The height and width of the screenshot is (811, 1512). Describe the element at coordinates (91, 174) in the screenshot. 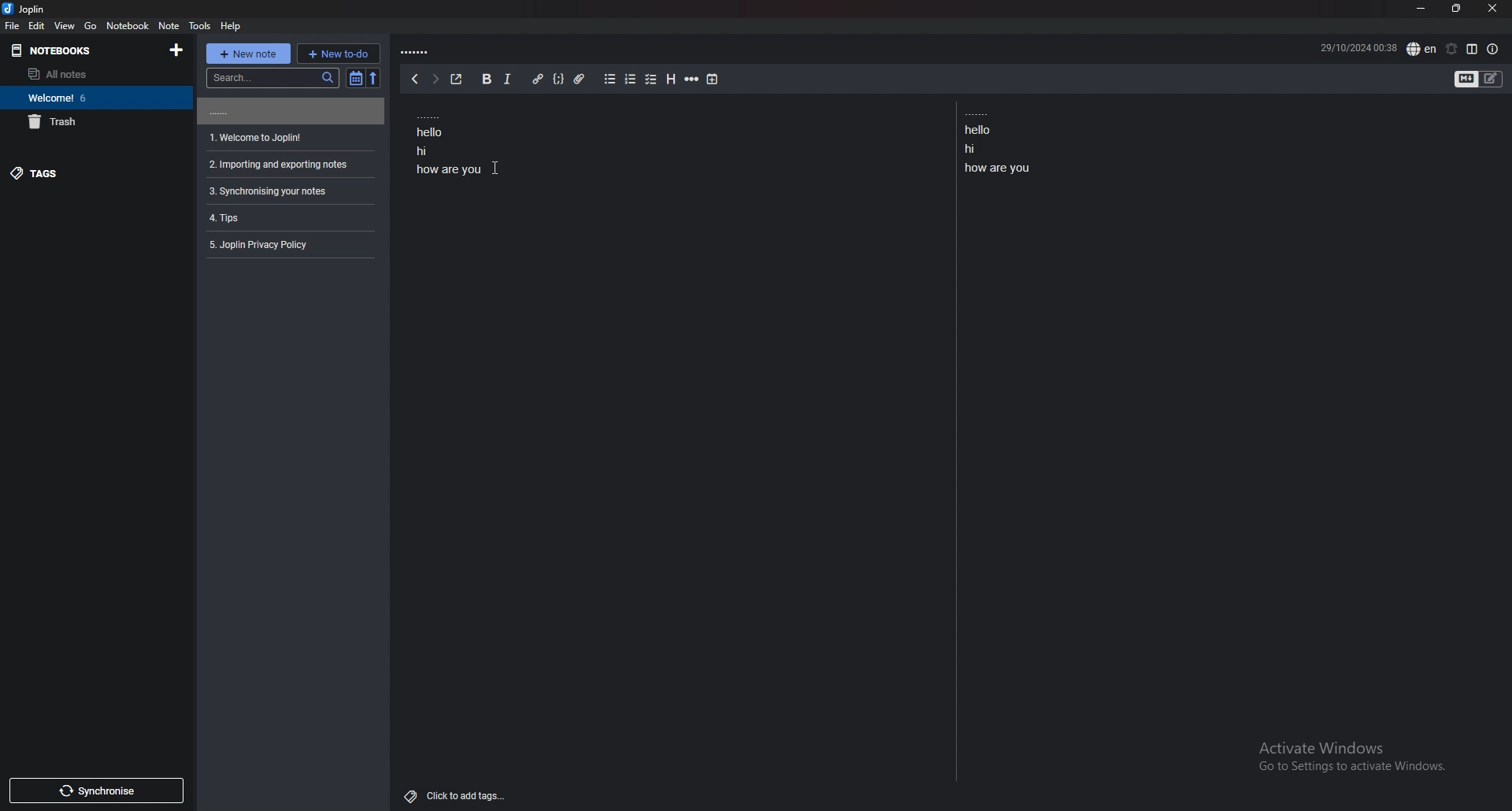

I see `tags` at that location.